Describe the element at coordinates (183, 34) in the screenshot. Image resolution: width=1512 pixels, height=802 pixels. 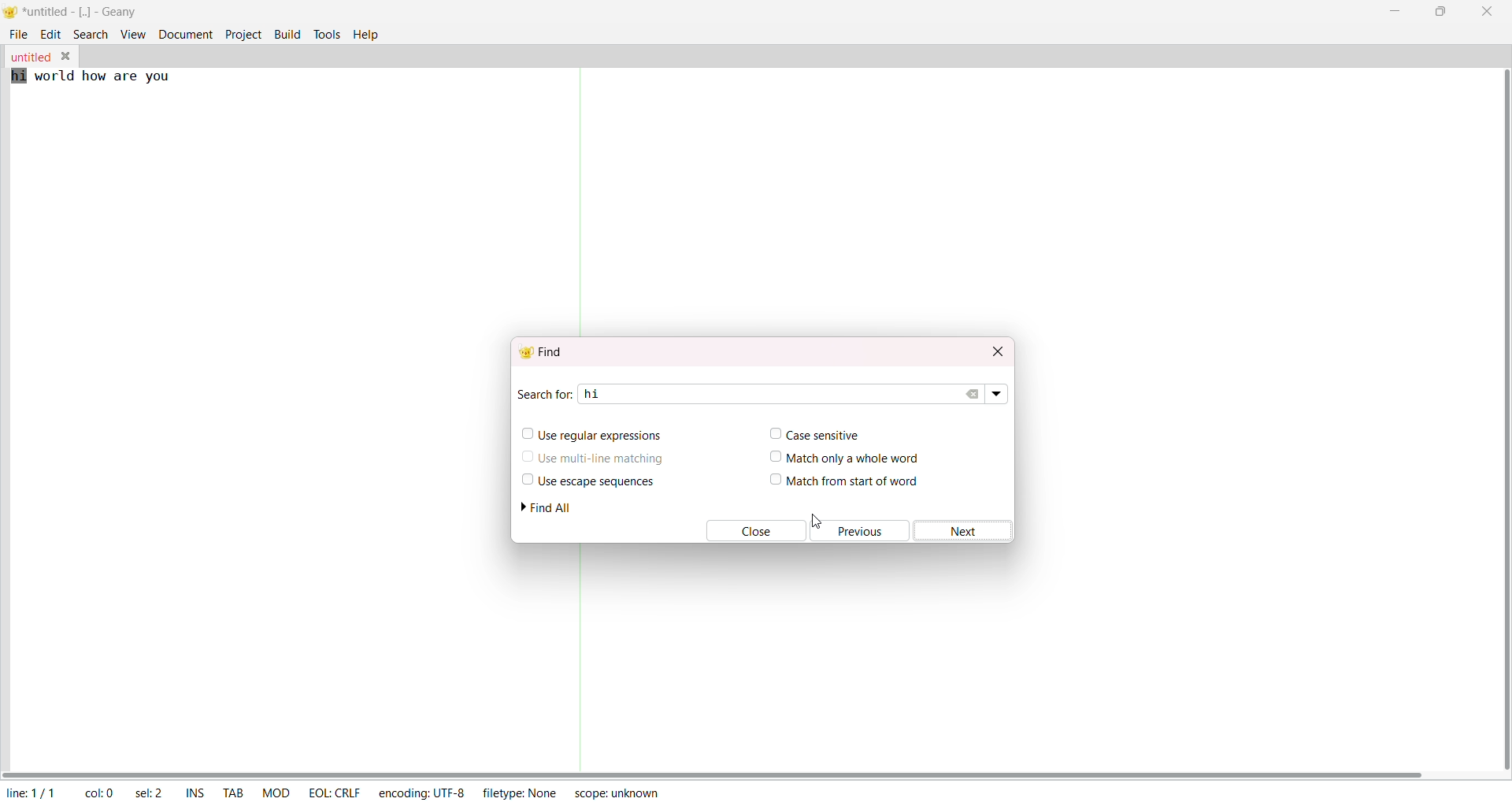
I see `document` at that location.